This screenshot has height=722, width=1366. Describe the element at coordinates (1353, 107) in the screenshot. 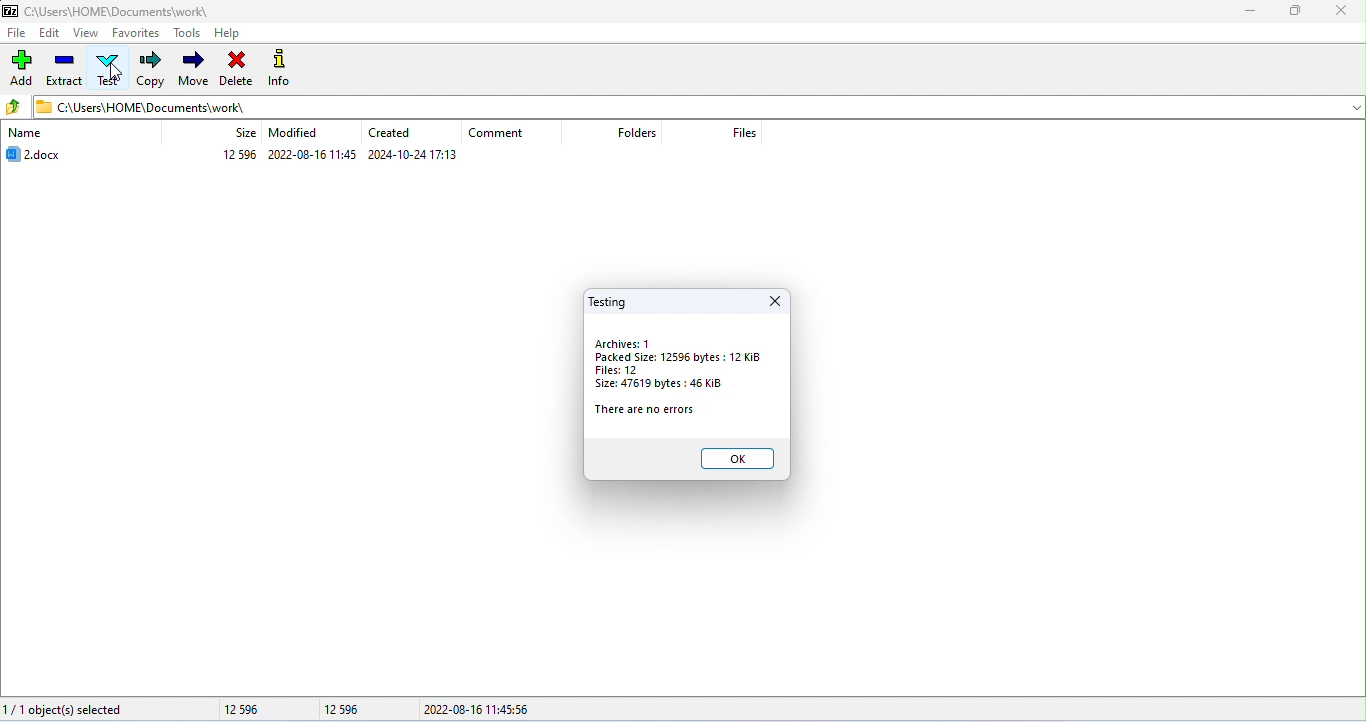

I see `drop-down` at that location.